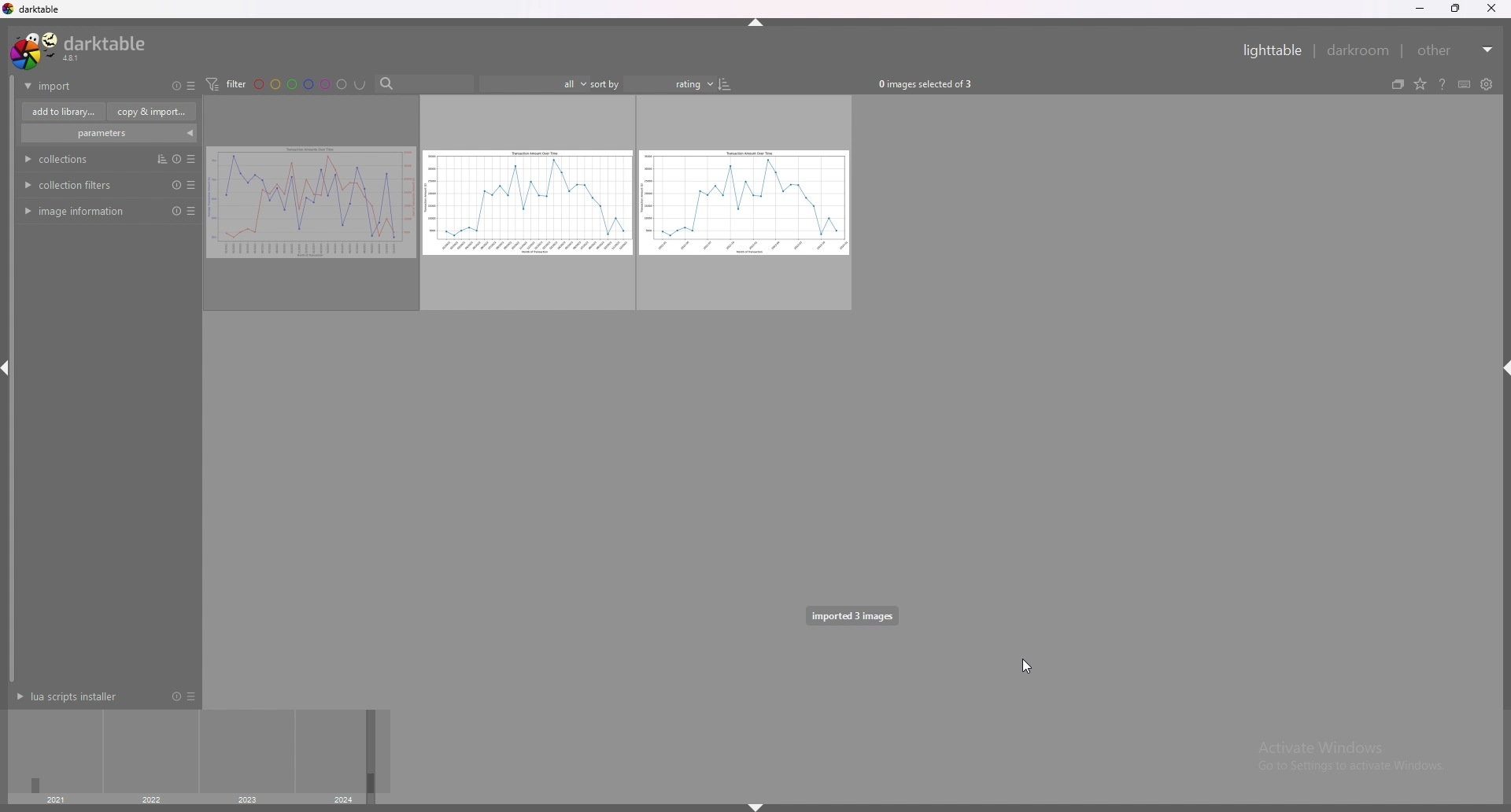 The width and height of the screenshot is (1511, 812). Describe the element at coordinates (1421, 84) in the screenshot. I see `change type of overlays` at that location.